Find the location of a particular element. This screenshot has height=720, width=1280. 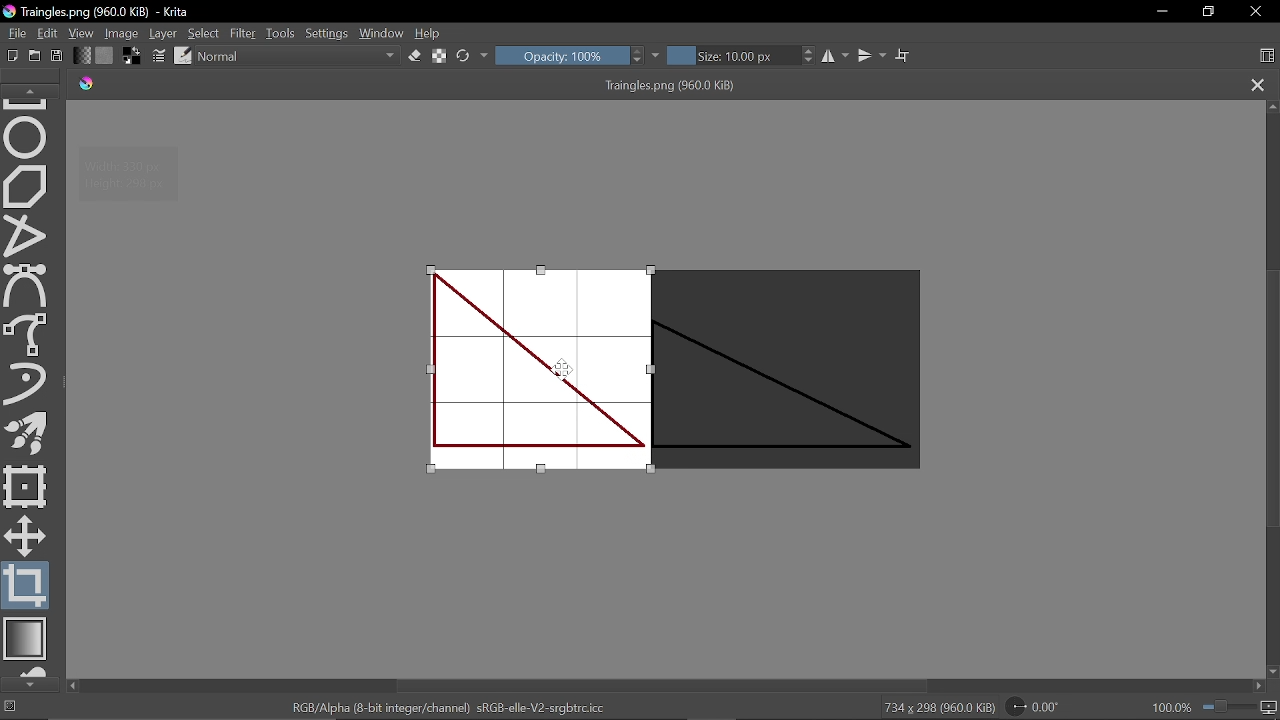

Polyline tool is located at coordinates (27, 237).